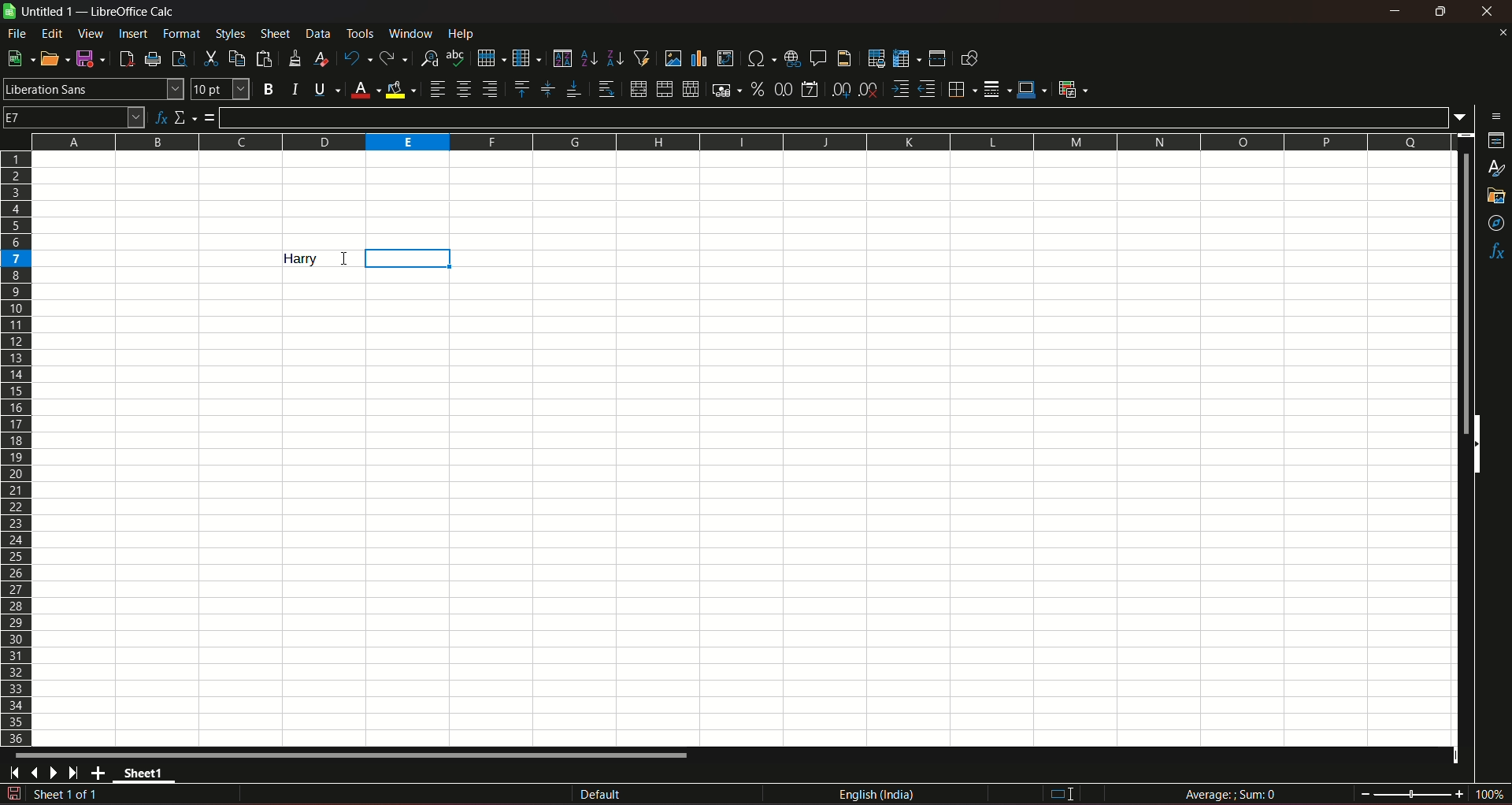  What do you see at coordinates (229, 33) in the screenshot?
I see `styles` at bounding box center [229, 33].